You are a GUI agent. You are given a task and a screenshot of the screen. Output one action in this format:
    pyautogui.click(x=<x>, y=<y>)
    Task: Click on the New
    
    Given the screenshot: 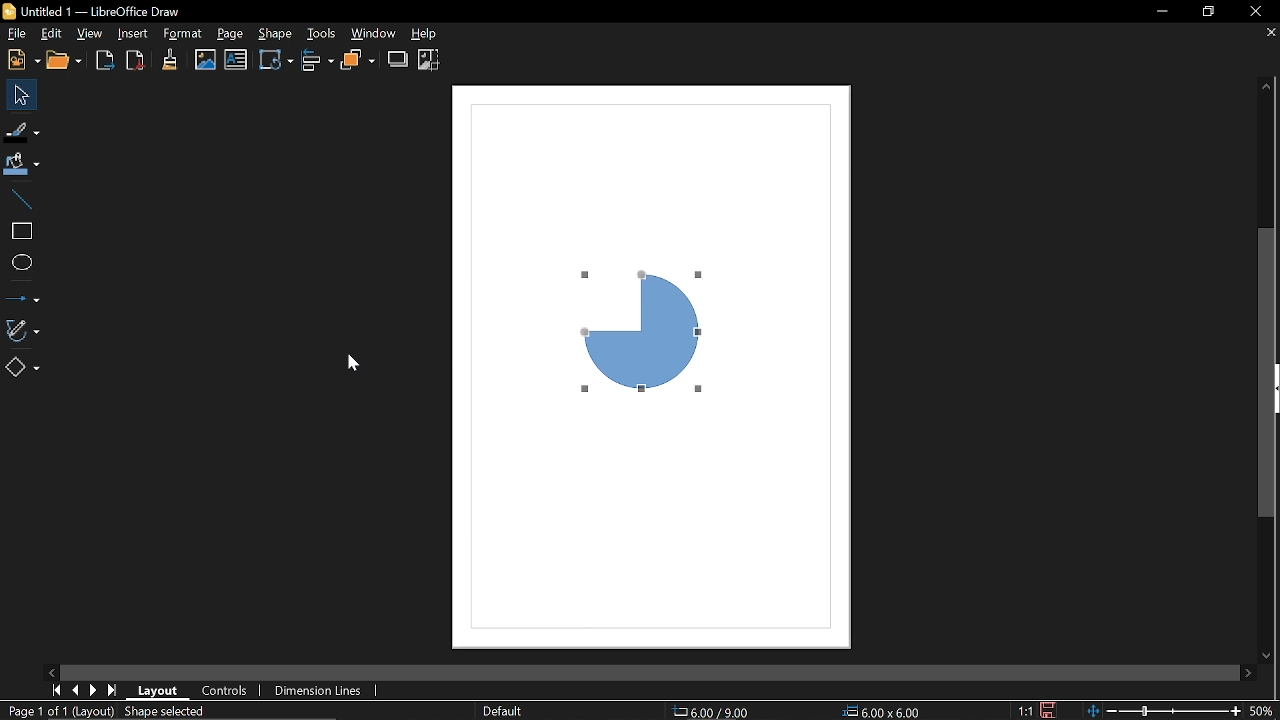 What is the action you would take?
    pyautogui.click(x=21, y=60)
    